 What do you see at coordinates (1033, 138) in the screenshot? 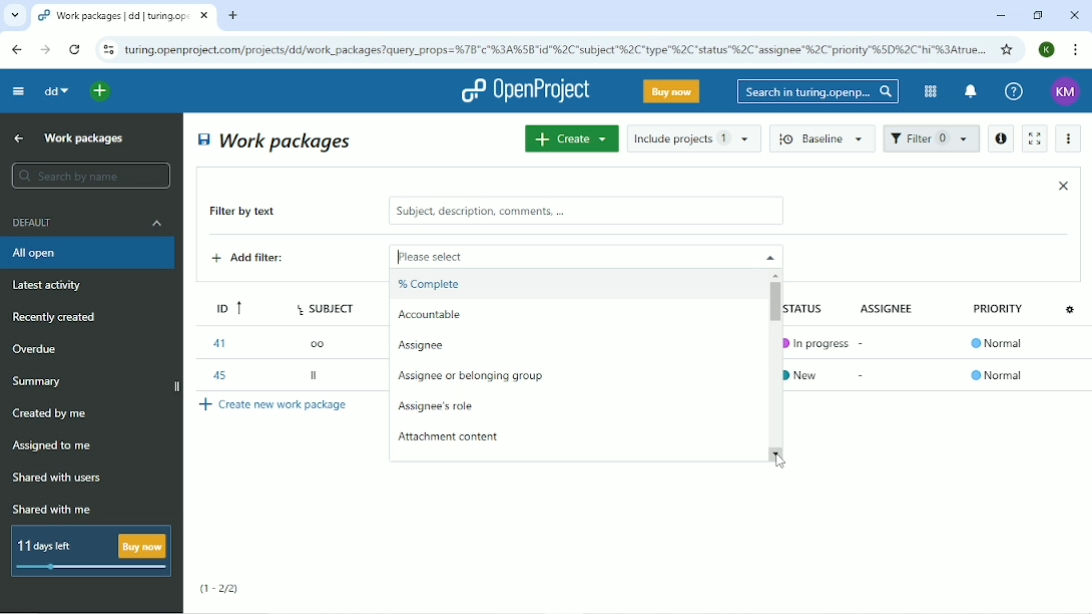
I see `Activate zen mode` at bounding box center [1033, 138].